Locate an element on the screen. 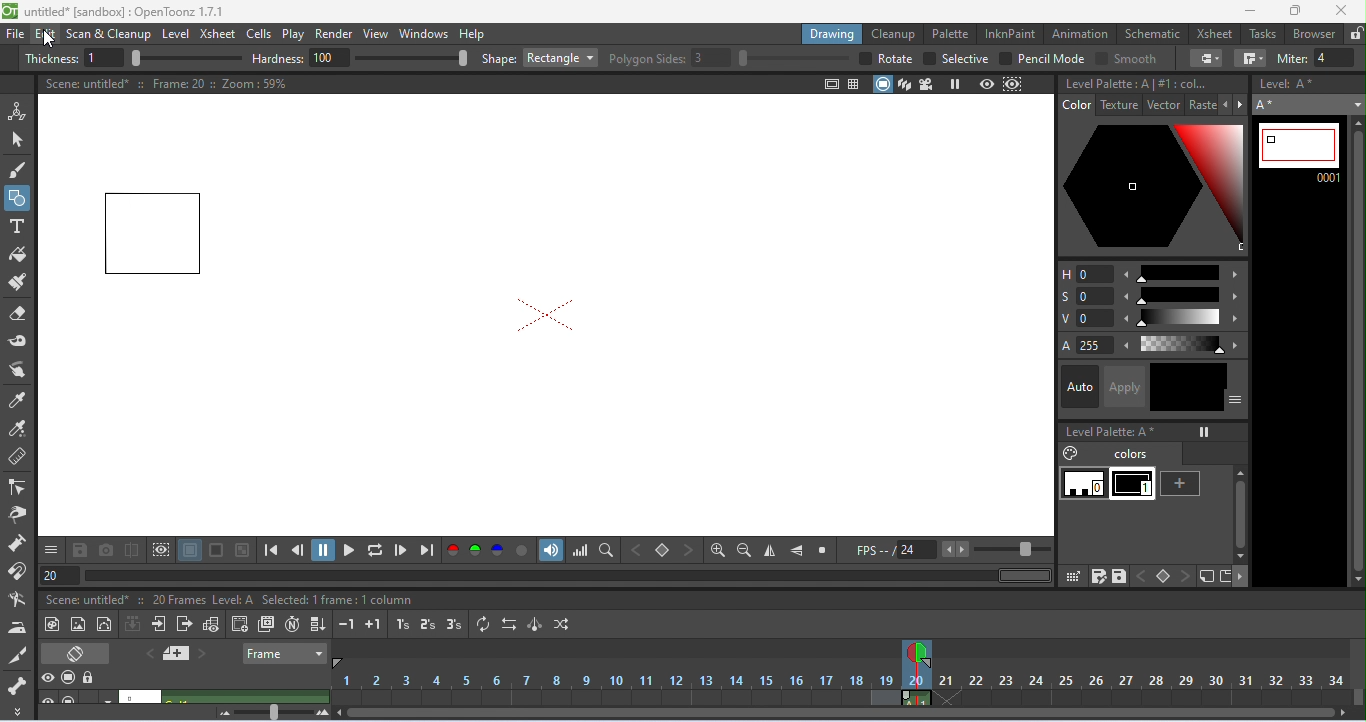 The width and height of the screenshot is (1366, 722). level palette A#1: color is located at coordinates (1134, 81).